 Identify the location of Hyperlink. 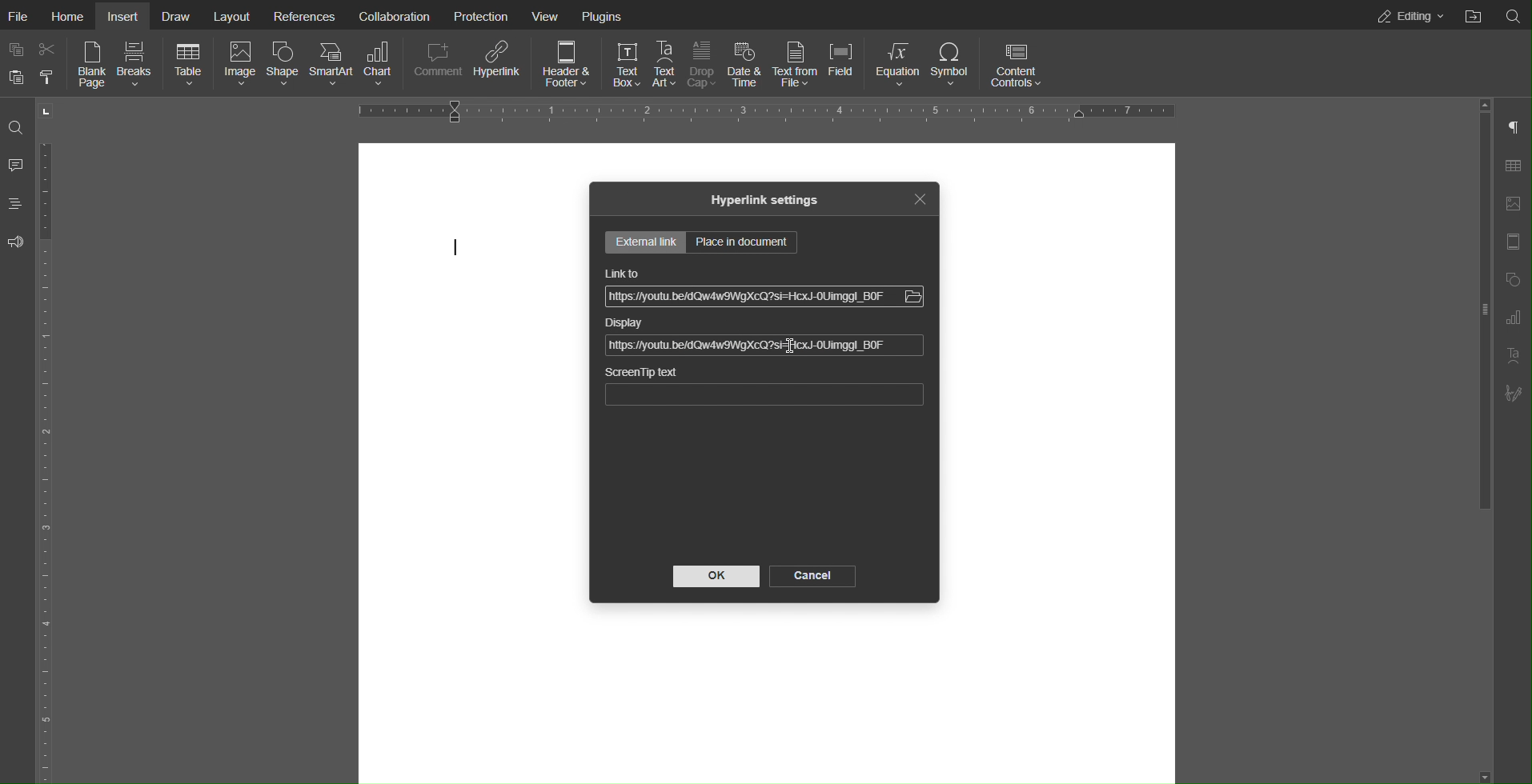
(497, 64).